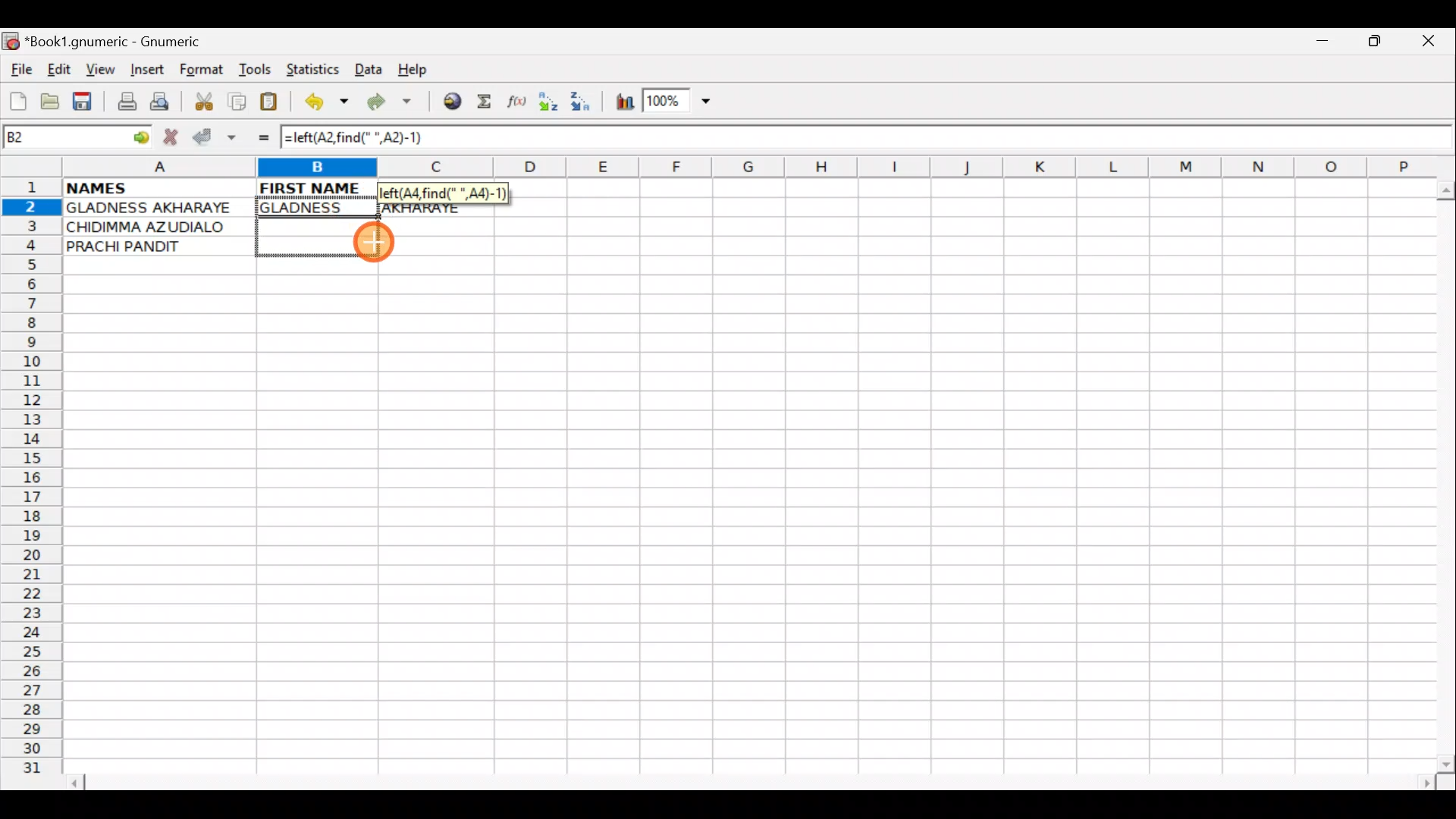 Image resolution: width=1456 pixels, height=819 pixels. I want to click on Statistics, so click(317, 68).